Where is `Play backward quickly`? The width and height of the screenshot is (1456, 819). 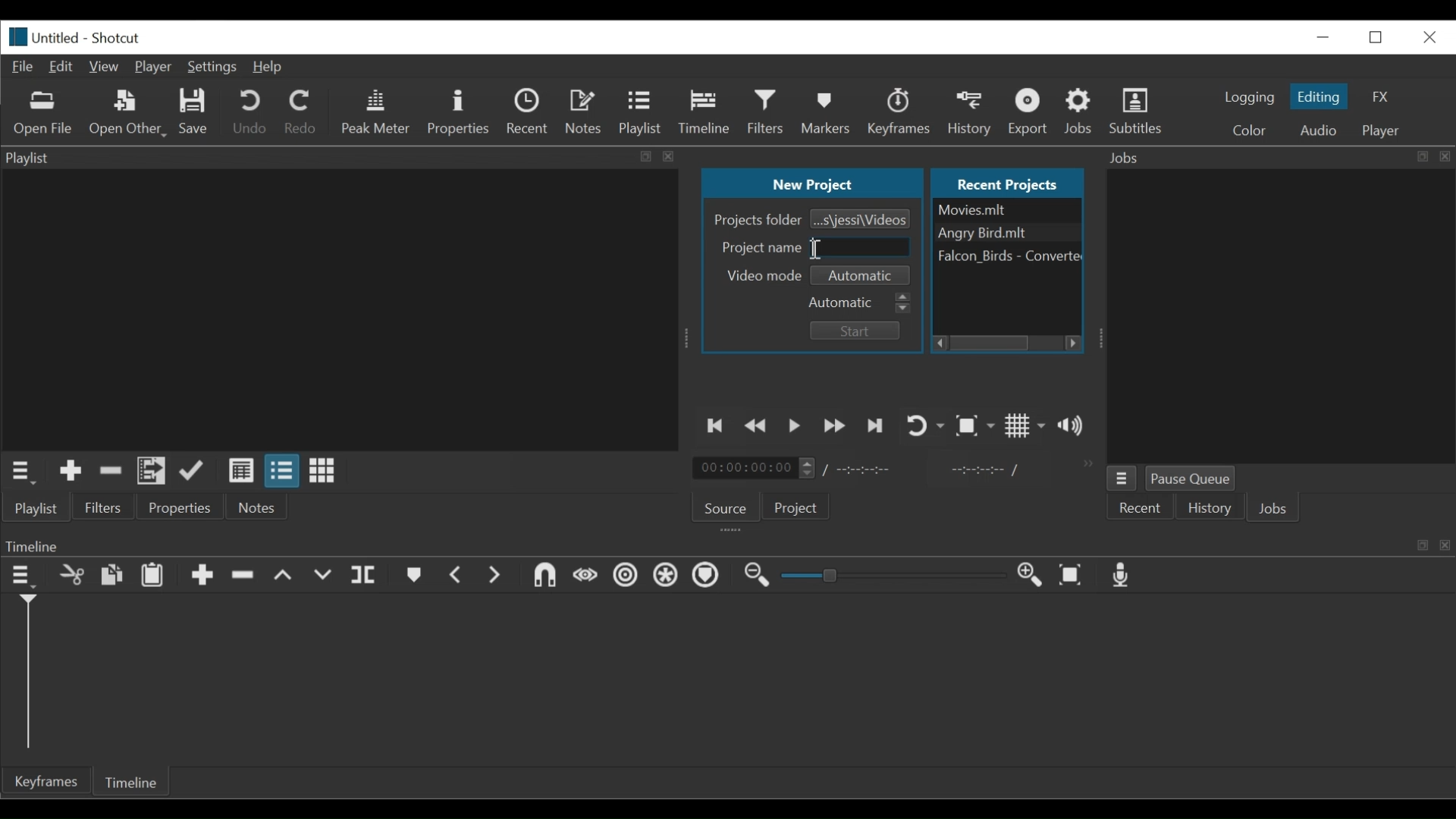 Play backward quickly is located at coordinates (757, 428).